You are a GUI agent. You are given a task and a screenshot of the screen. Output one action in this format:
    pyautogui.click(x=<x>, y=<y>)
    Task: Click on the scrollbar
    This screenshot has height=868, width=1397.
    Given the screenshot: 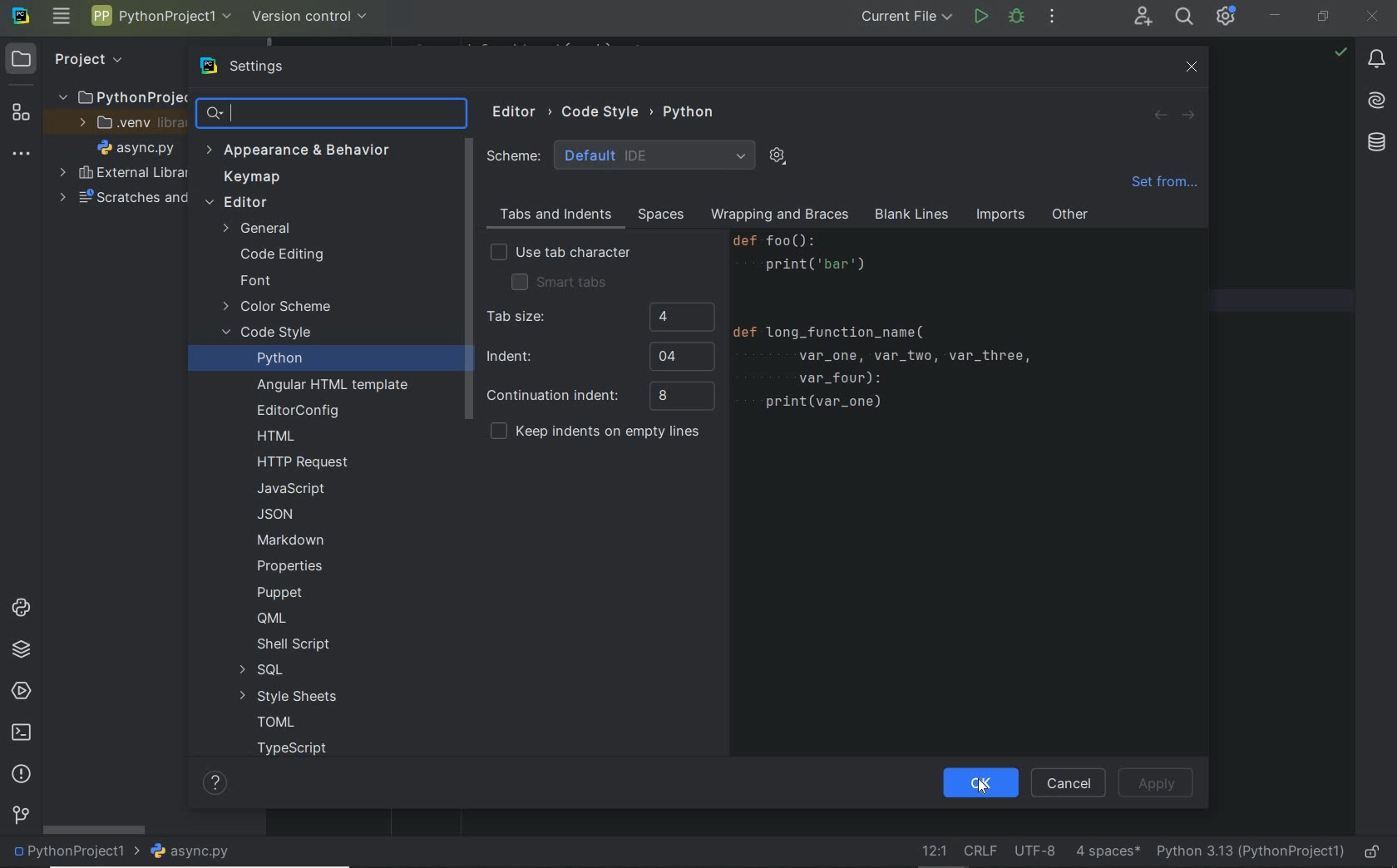 What is the action you would take?
    pyautogui.click(x=466, y=281)
    